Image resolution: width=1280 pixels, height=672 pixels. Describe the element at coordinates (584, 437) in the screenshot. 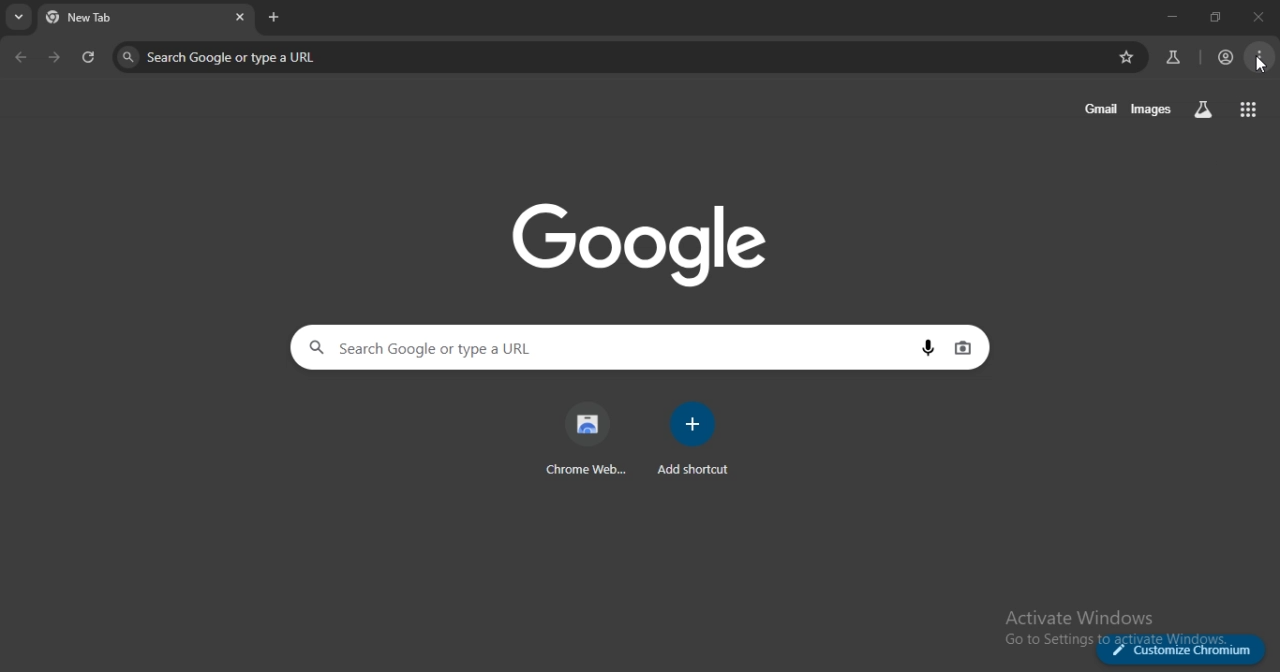

I see `chrome web store` at that location.